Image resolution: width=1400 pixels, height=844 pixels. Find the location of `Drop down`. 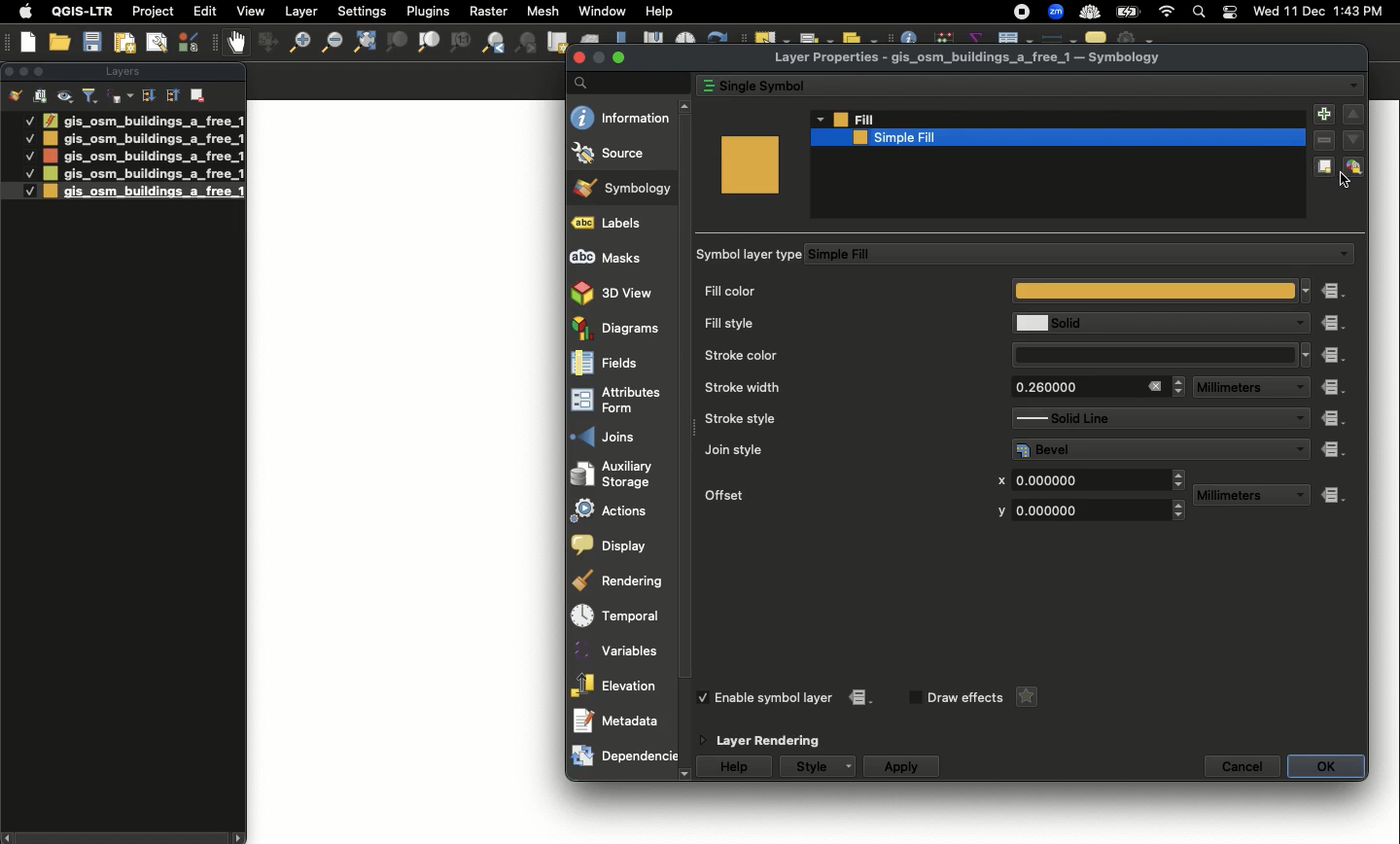

Drop down is located at coordinates (1297, 496).